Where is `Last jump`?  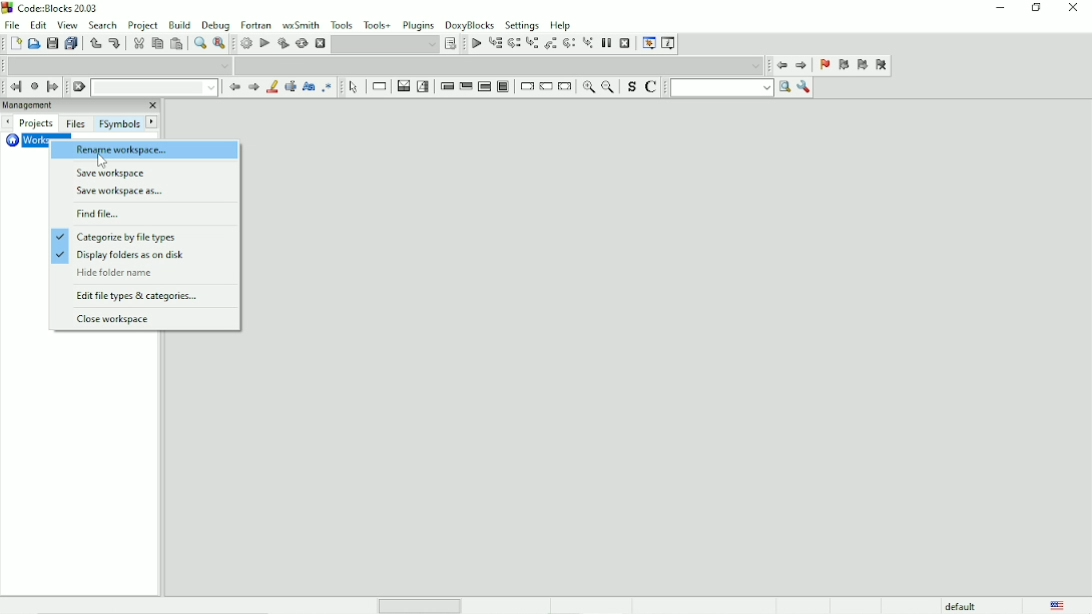 Last jump is located at coordinates (34, 86).